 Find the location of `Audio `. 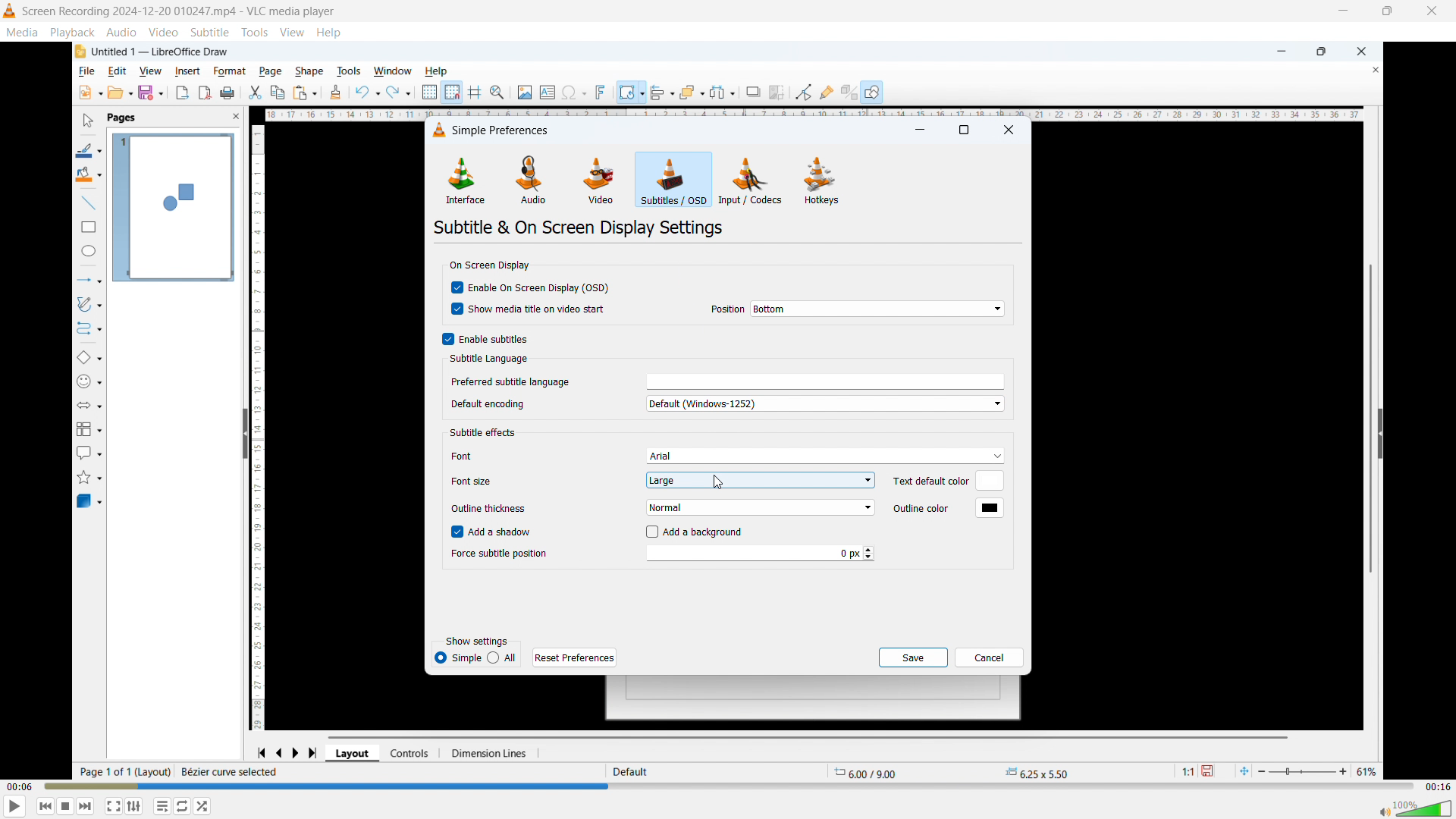

Audio  is located at coordinates (121, 33).